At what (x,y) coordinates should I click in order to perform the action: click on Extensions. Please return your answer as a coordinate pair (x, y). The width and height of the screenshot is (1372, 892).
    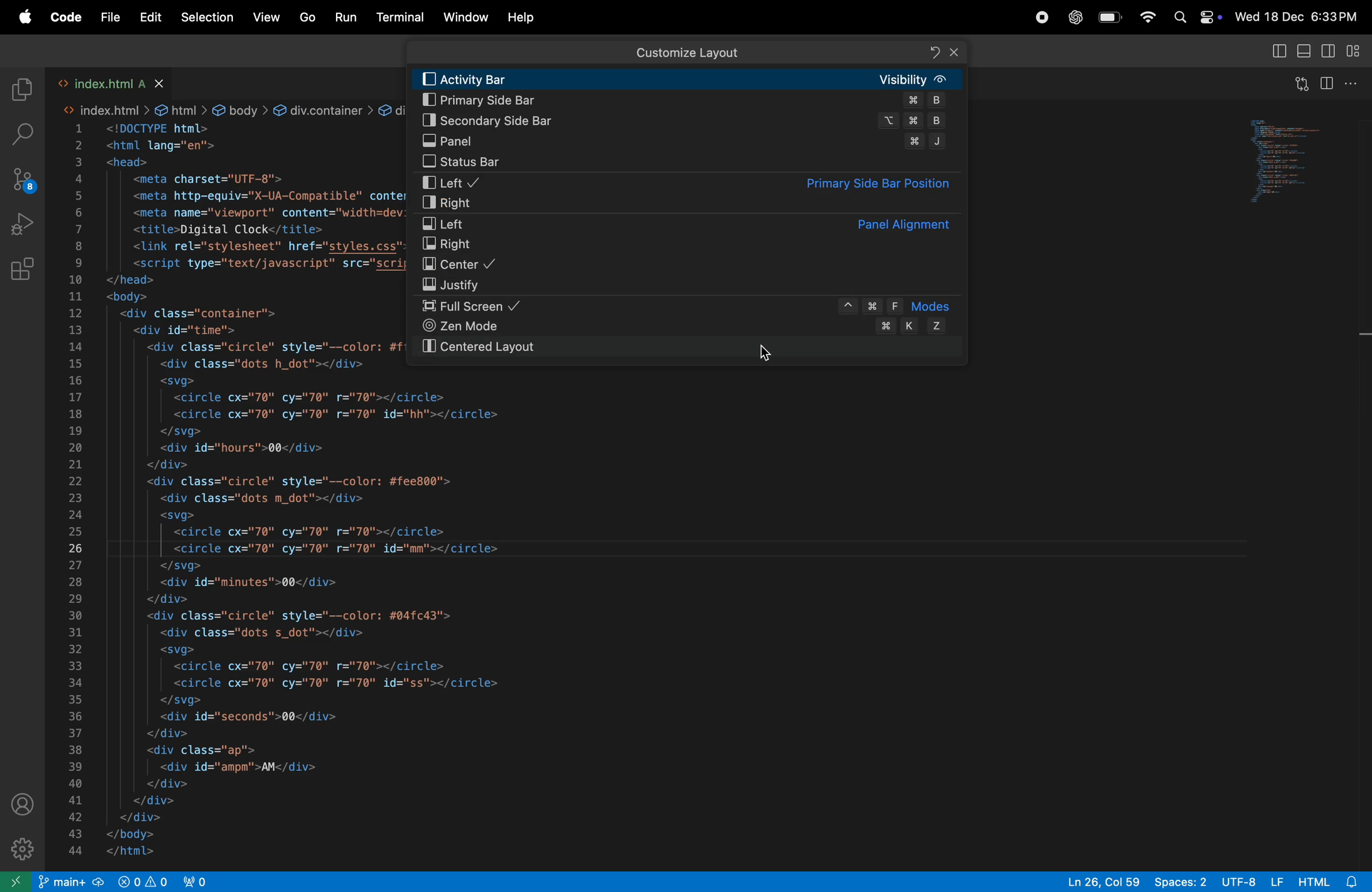
    Looking at the image, I should click on (22, 269).